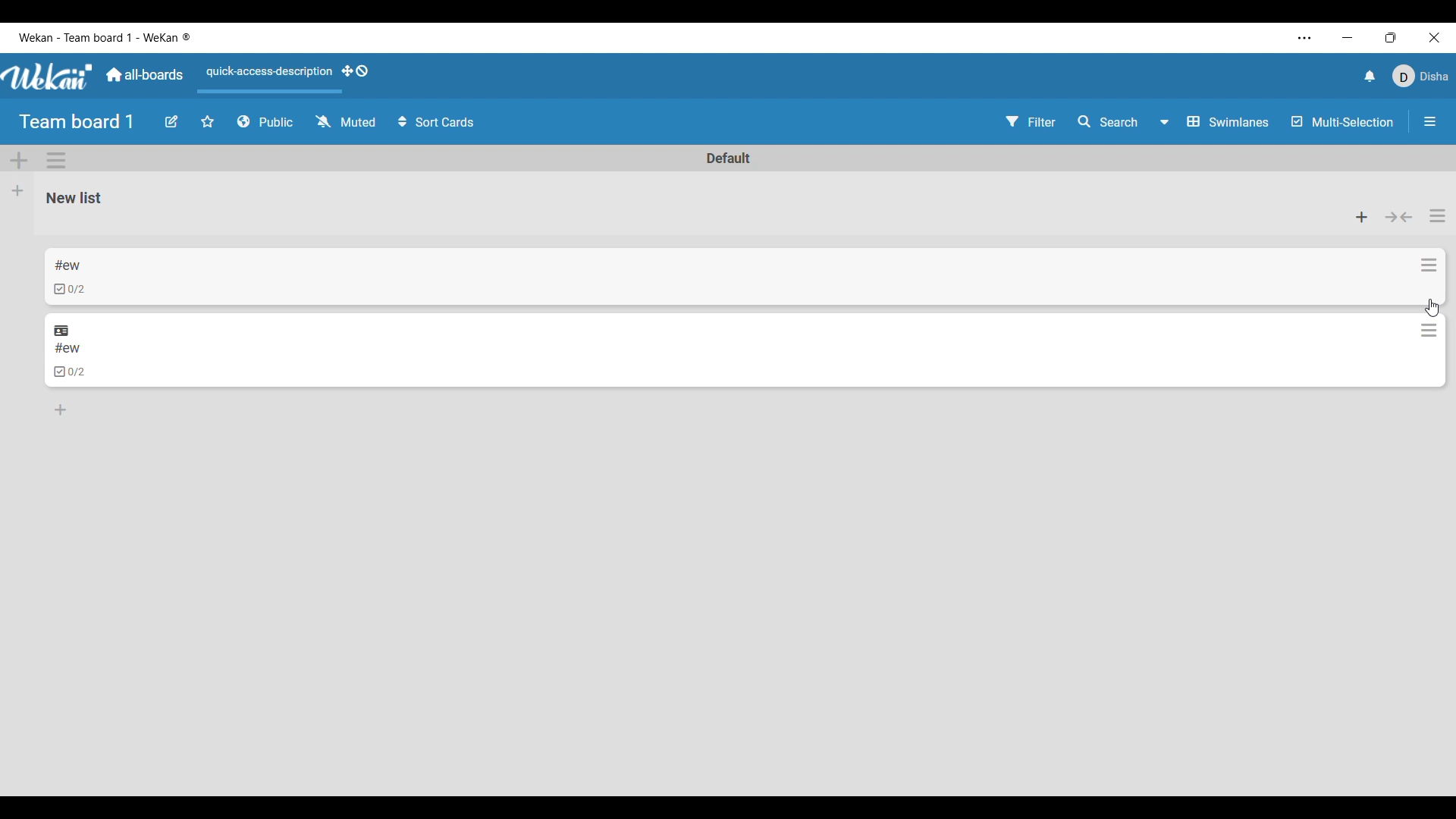  Describe the element at coordinates (1430, 122) in the screenshot. I see `Close/Open sidebar` at that location.